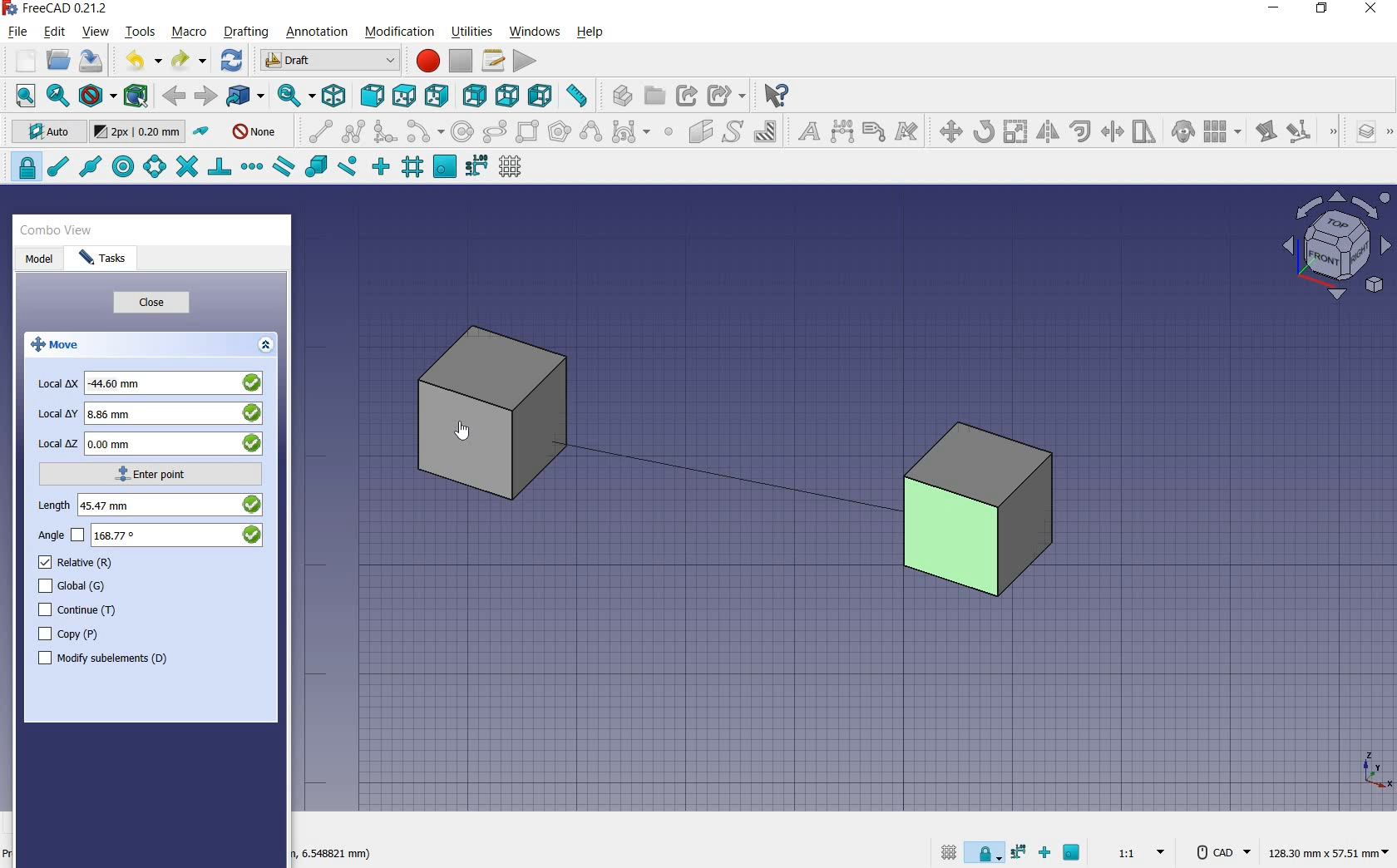 This screenshot has width=1397, height=868. I want to click on go to linked objects, so click(244, 96).